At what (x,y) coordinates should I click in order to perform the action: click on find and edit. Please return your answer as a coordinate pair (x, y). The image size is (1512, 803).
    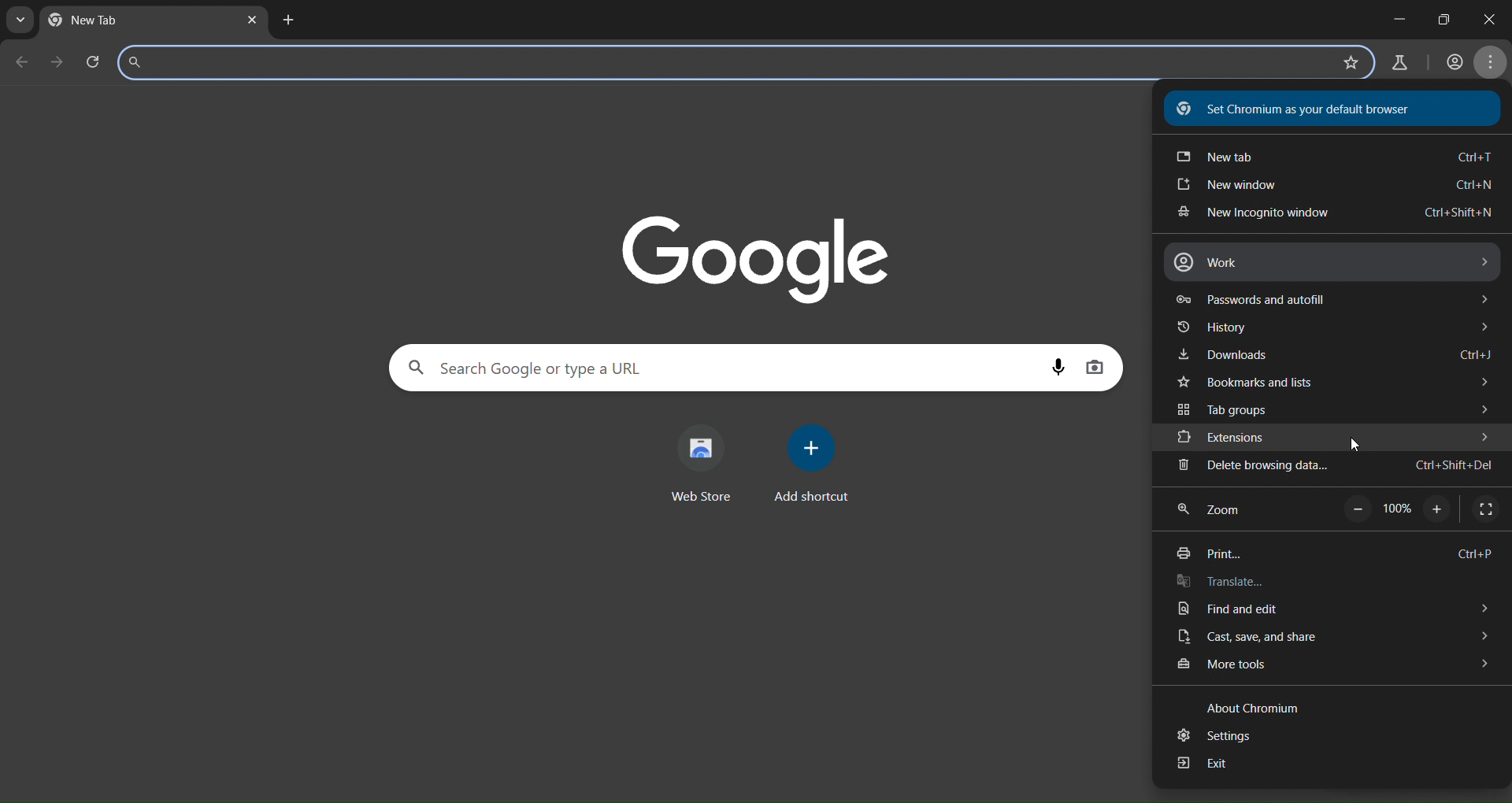
    Looking at the image, I should click on (1336, 609).